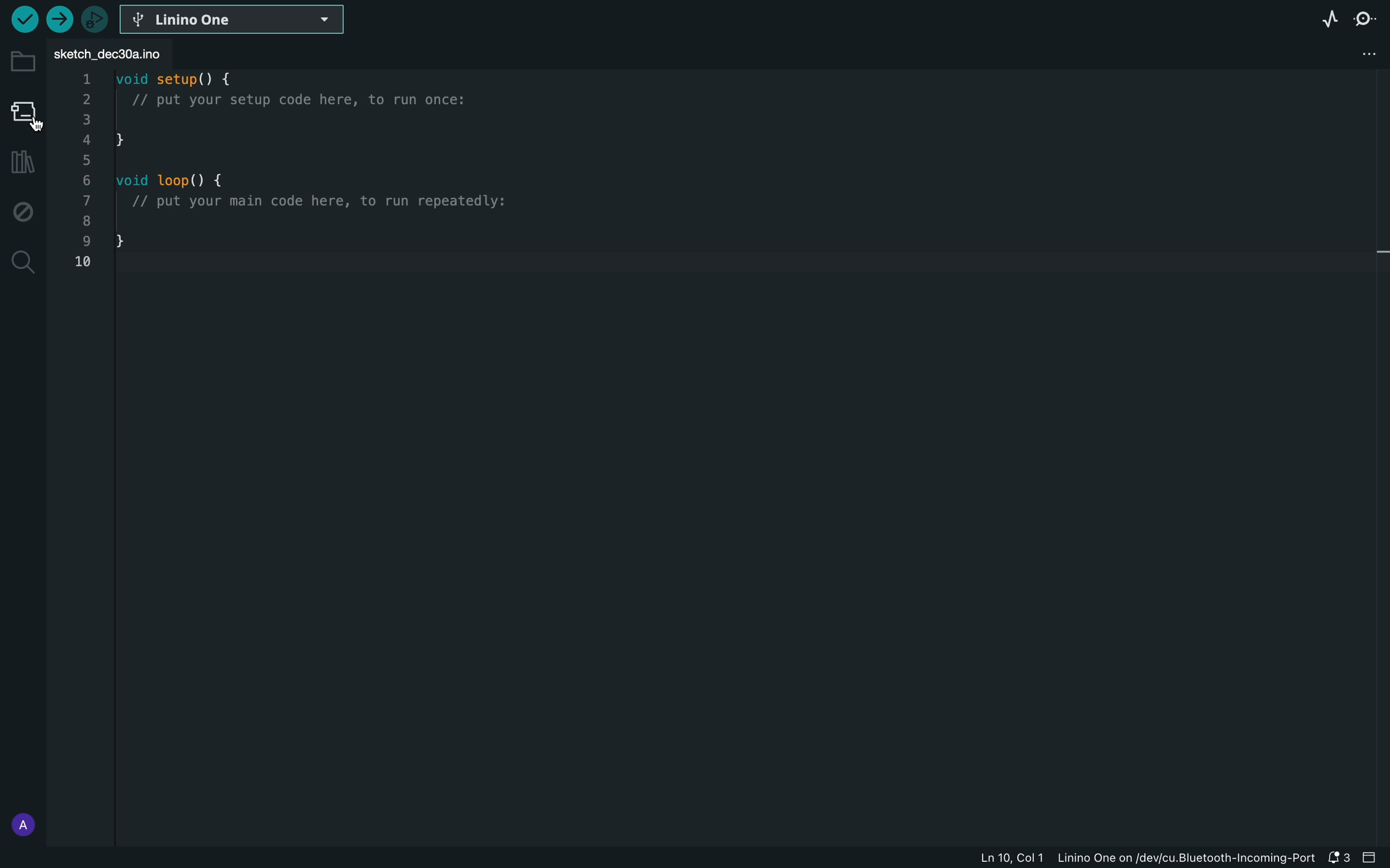  I want to click on close bar, so click(1374, 859).